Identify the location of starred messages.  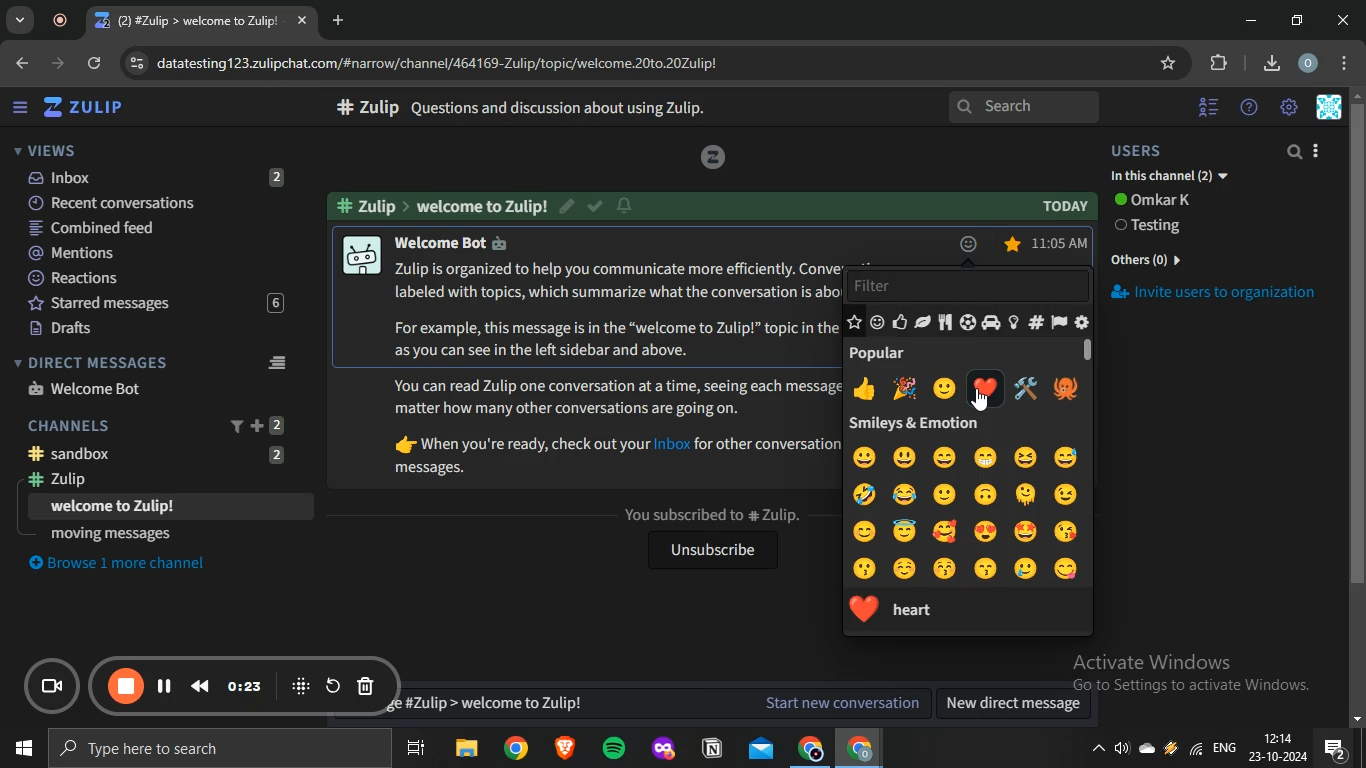
(1013, 244).